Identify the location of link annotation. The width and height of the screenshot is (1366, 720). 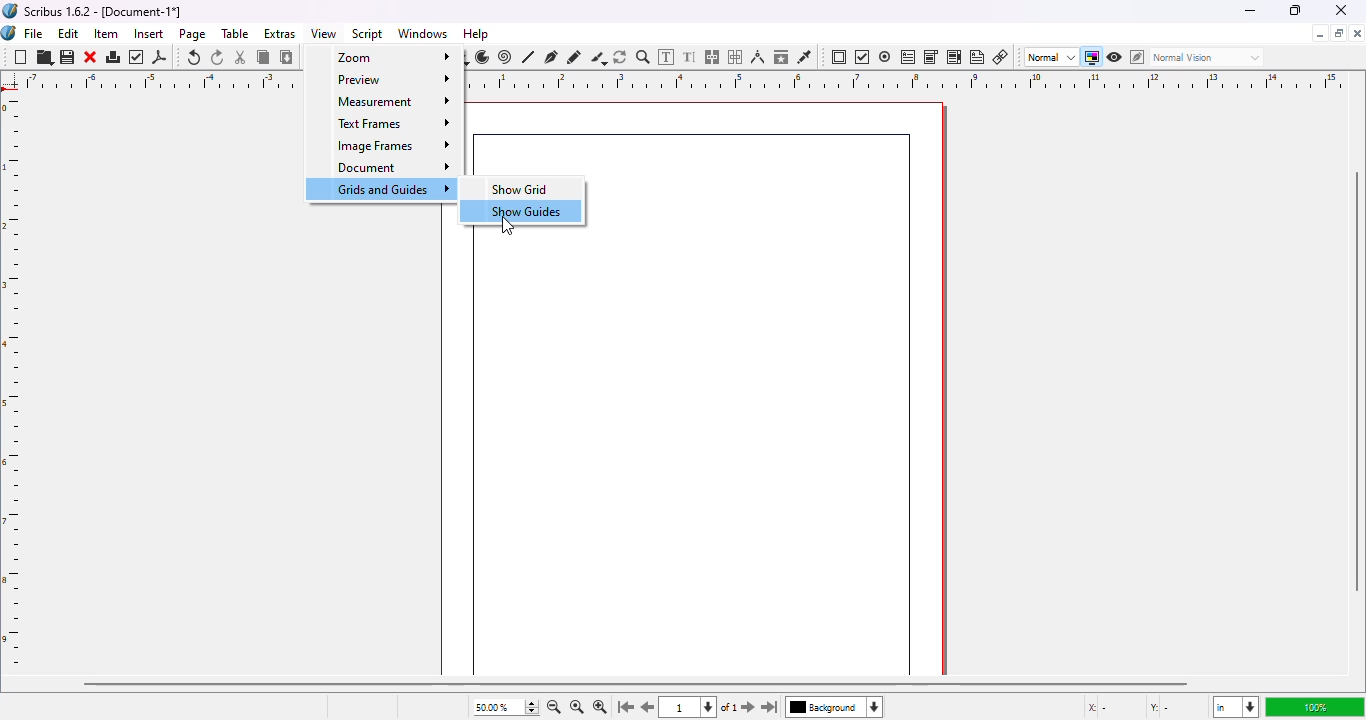
(1001, 57).